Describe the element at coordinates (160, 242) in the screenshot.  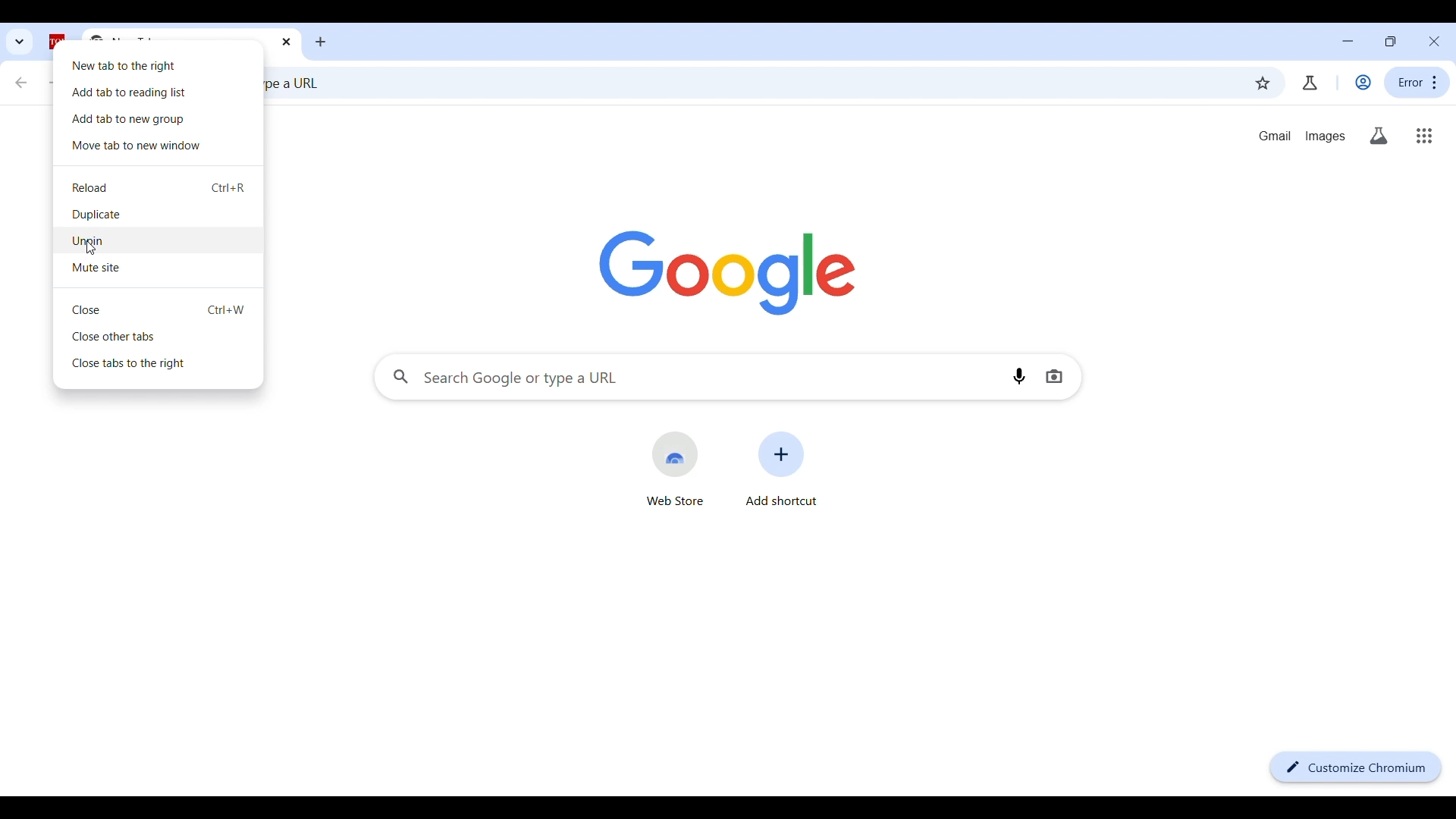
I see `Unpin tab` at that location.